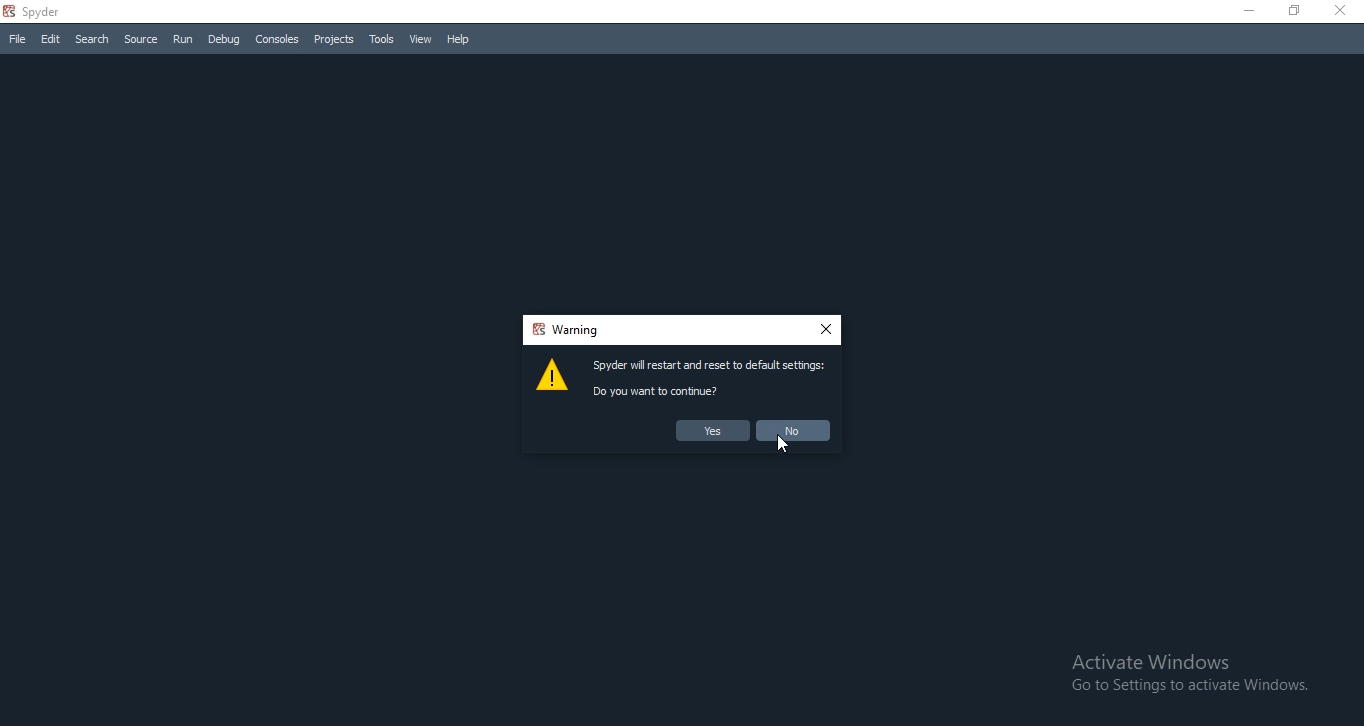 The width and height of the screenshot is (1364, 726). Describe the element at coordinates (276, 39) in the screenshot. I see `Consoles` at that location.